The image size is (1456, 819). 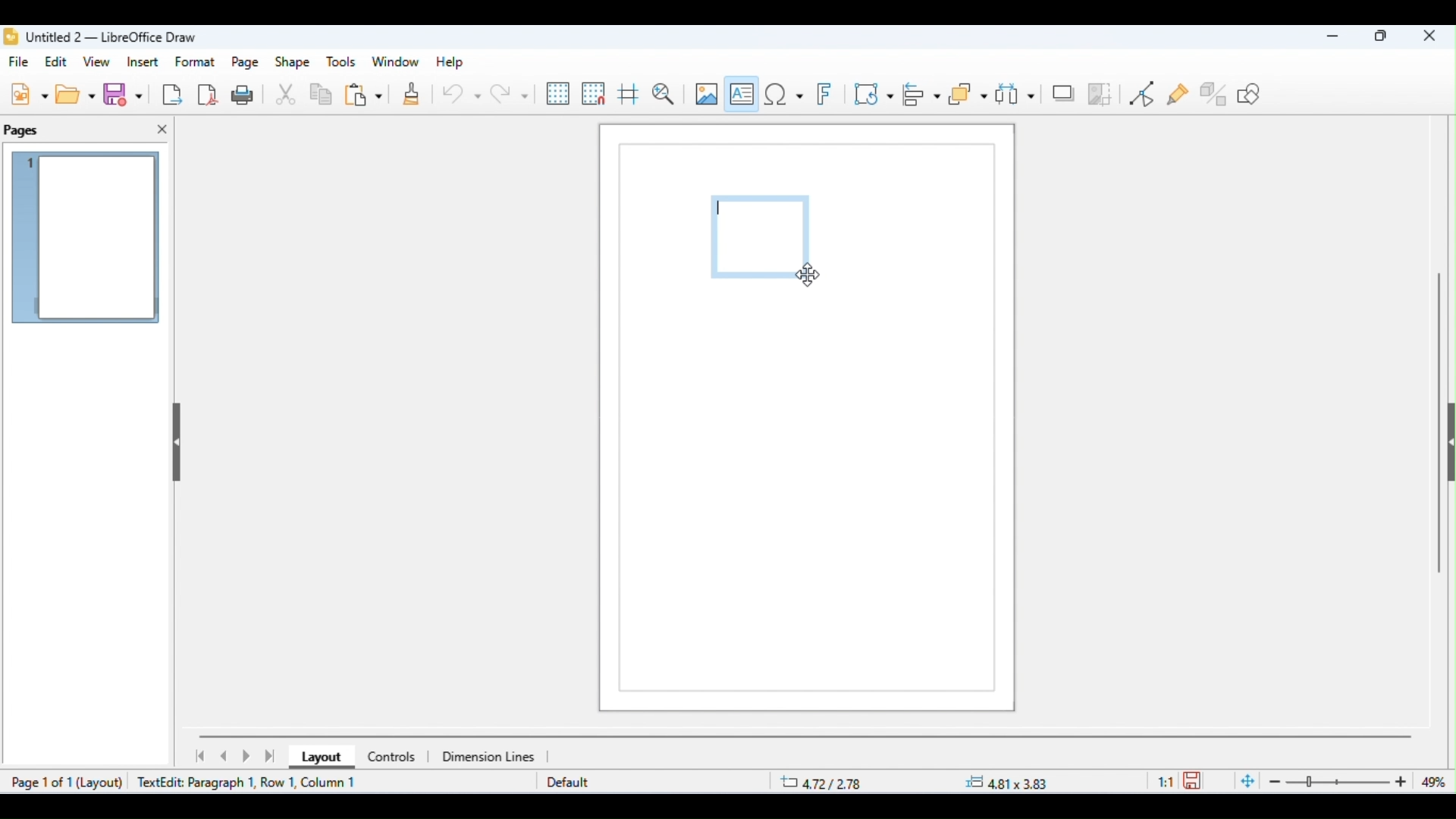 What do you see at coordinates (705, 93) in the screenshot?
I see `insert image` at bounding box center [705, 93].